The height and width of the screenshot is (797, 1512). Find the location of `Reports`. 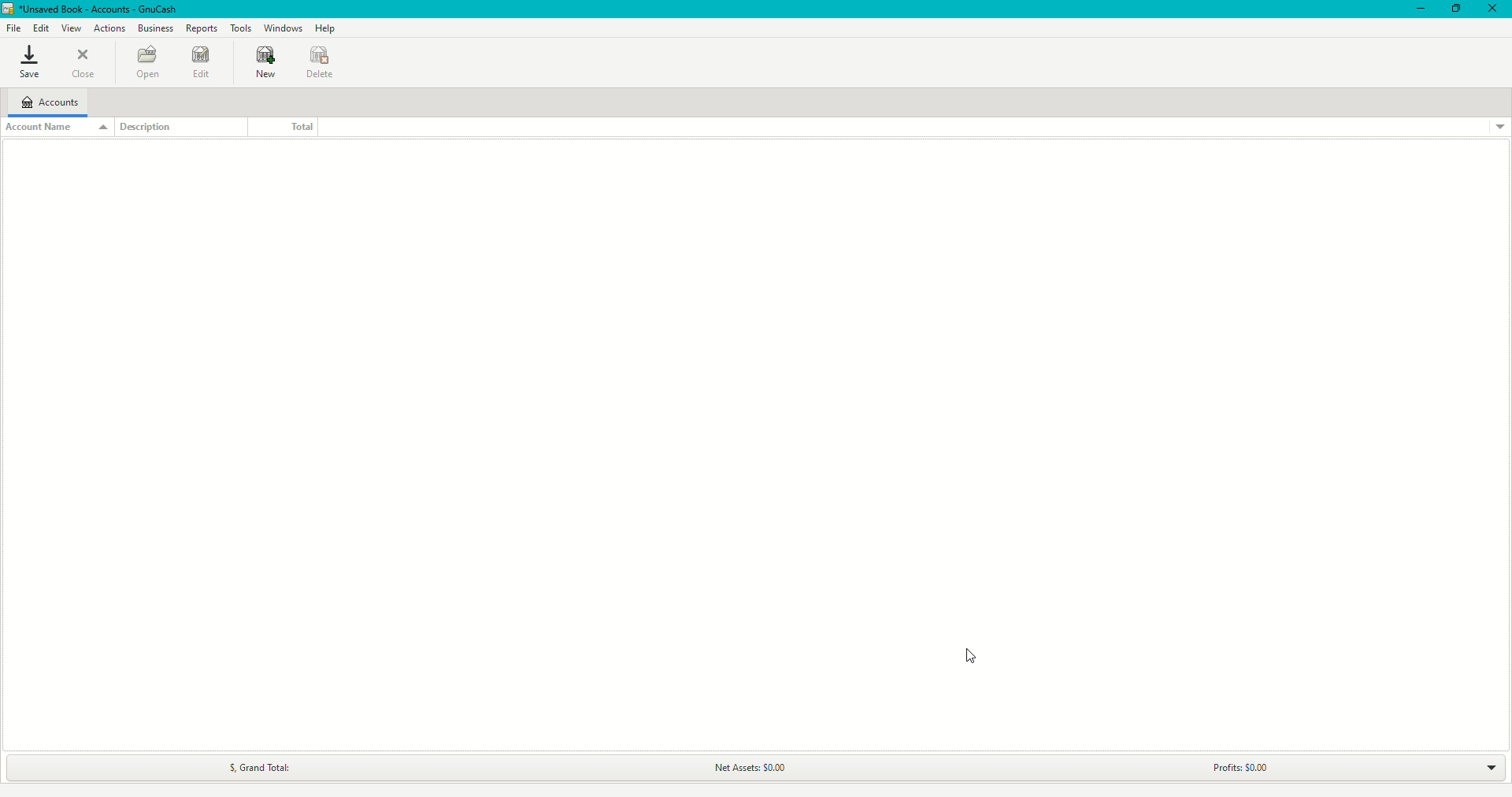

Reports is located at coordinates (202, 27).